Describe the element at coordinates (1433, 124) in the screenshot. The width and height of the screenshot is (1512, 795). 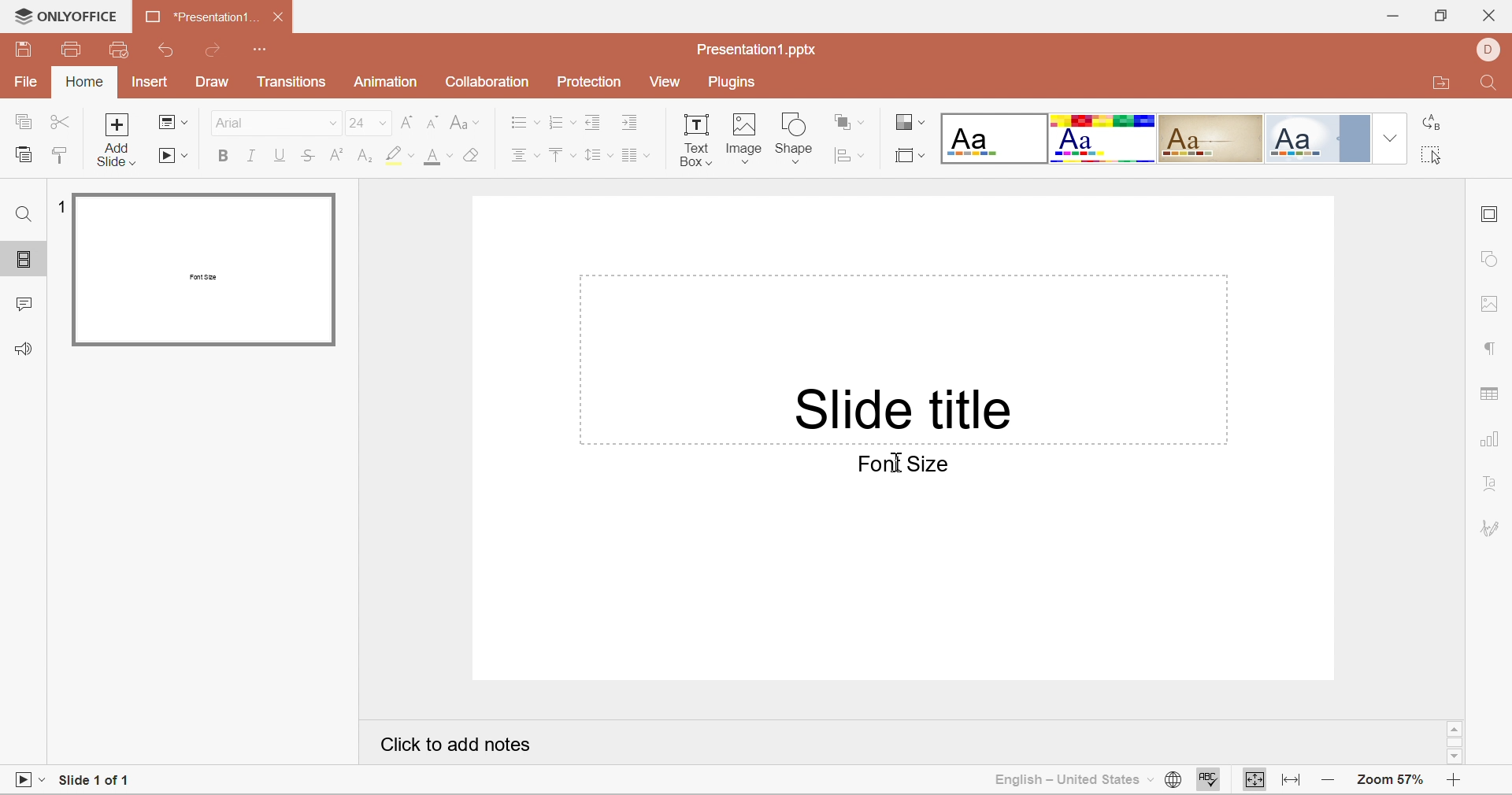
I see `Replace` at that location.